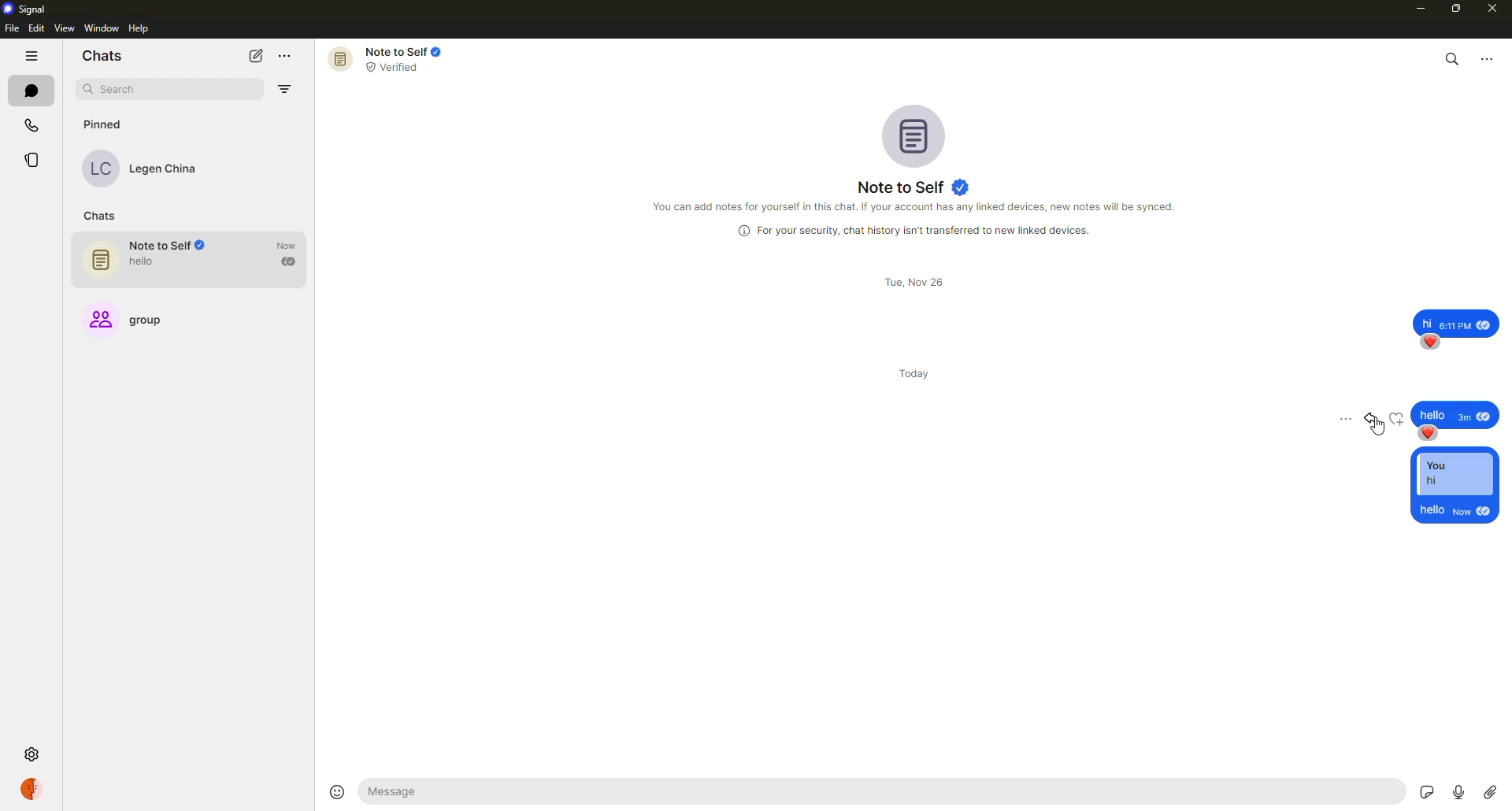 This screenshot has width=1512, height=811. Describe the element at coordinates (147, 87) in the screenshot. I see `search` at that location.